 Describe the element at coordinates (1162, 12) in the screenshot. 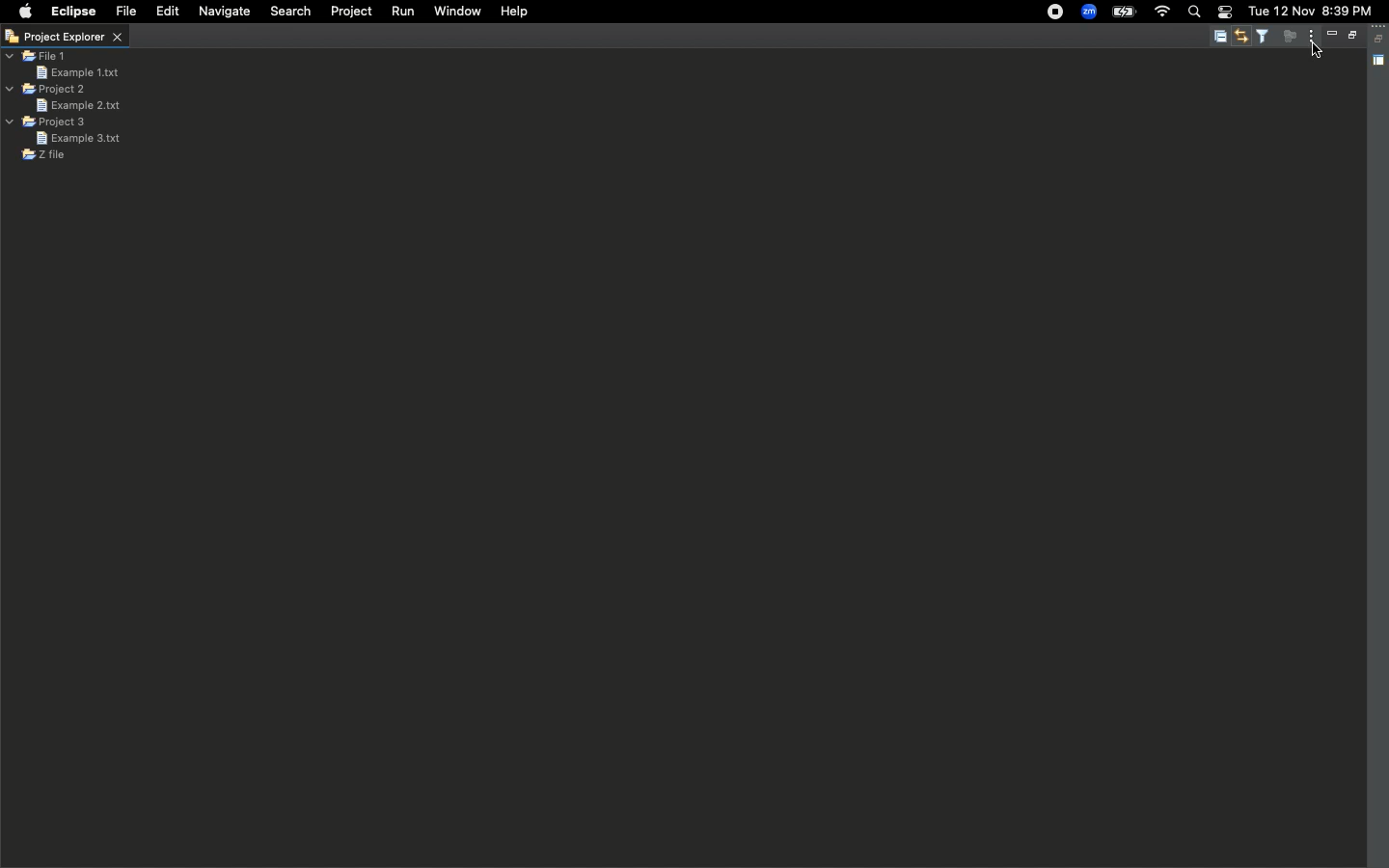

I see `Internet` at that location.